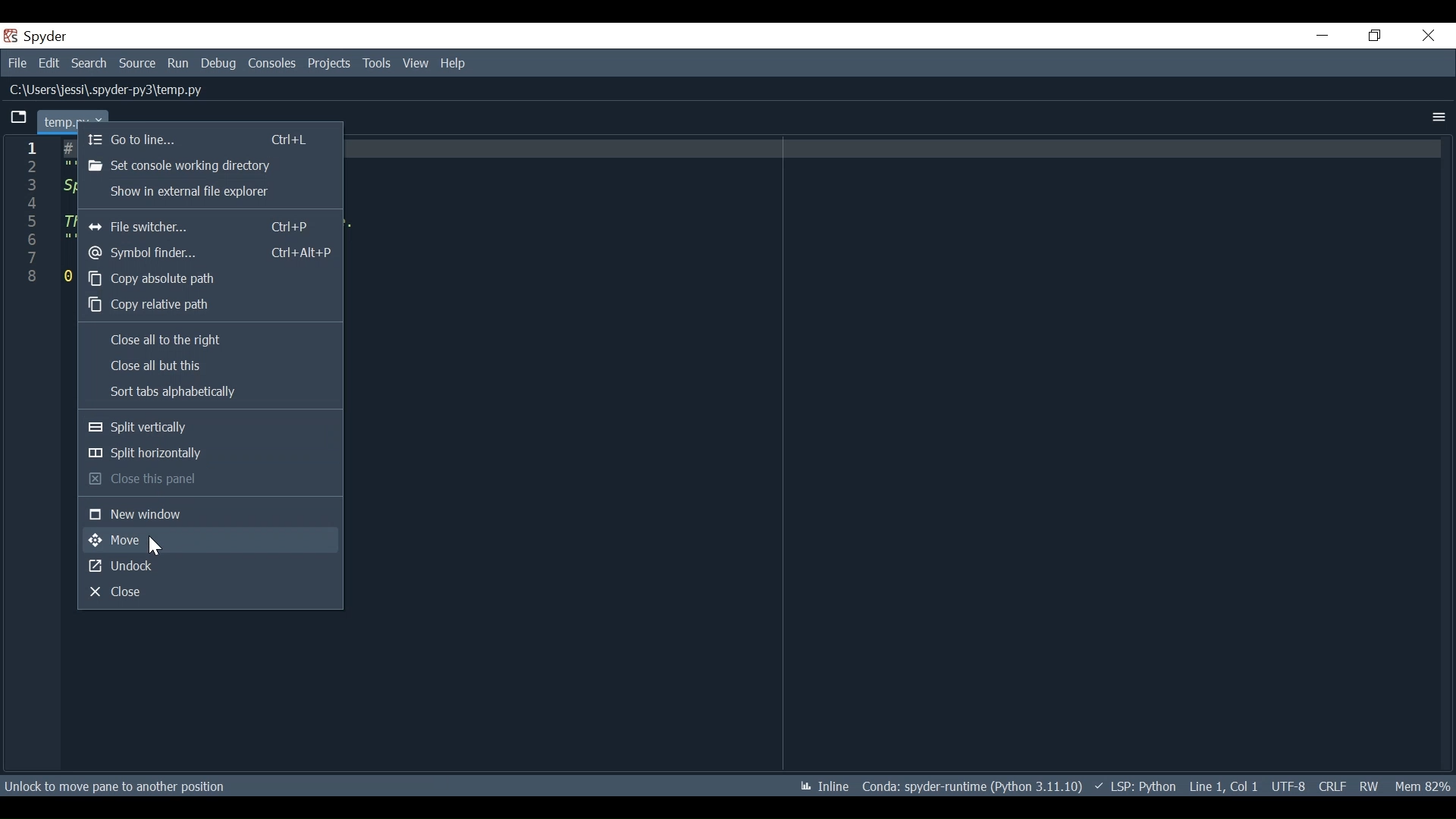 This screenshot has width=1456, height=819. Describe the element at coordinates (207, 192) in the screenshot. I see `Sow in external file explorer` at that location.